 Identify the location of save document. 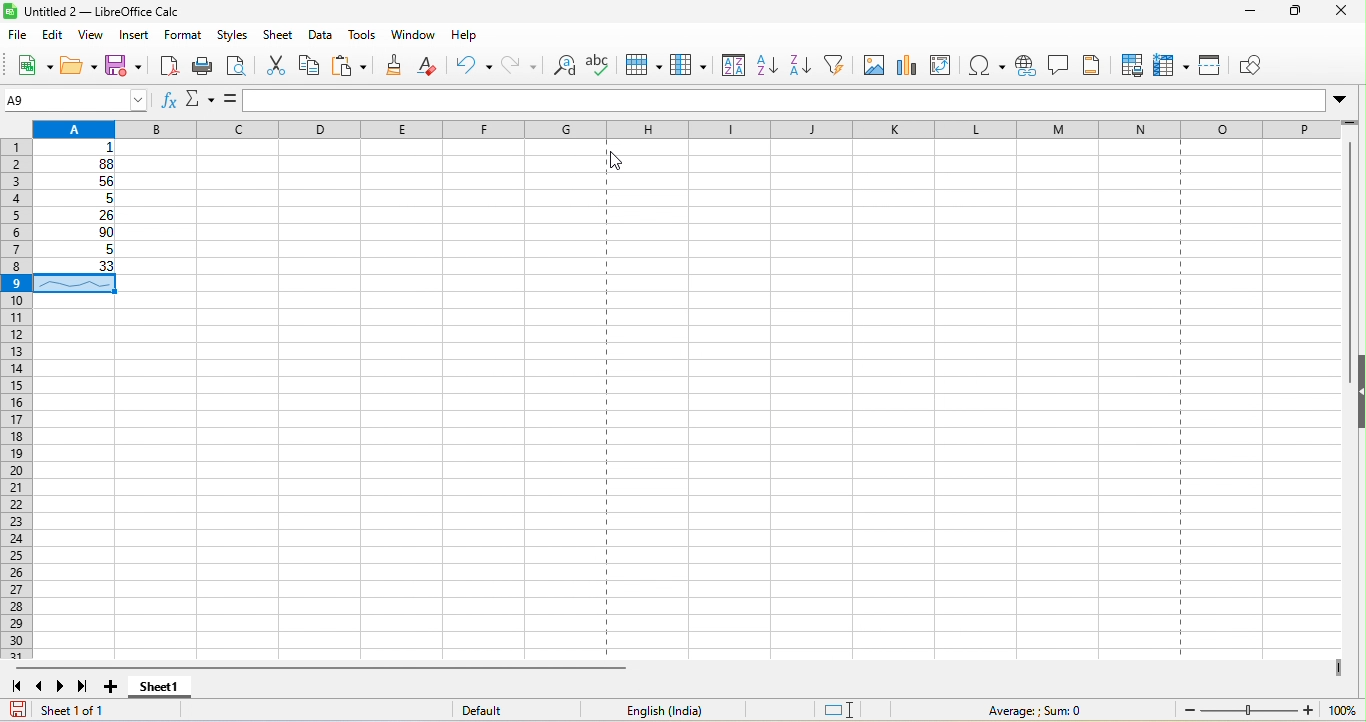
(18, 709).